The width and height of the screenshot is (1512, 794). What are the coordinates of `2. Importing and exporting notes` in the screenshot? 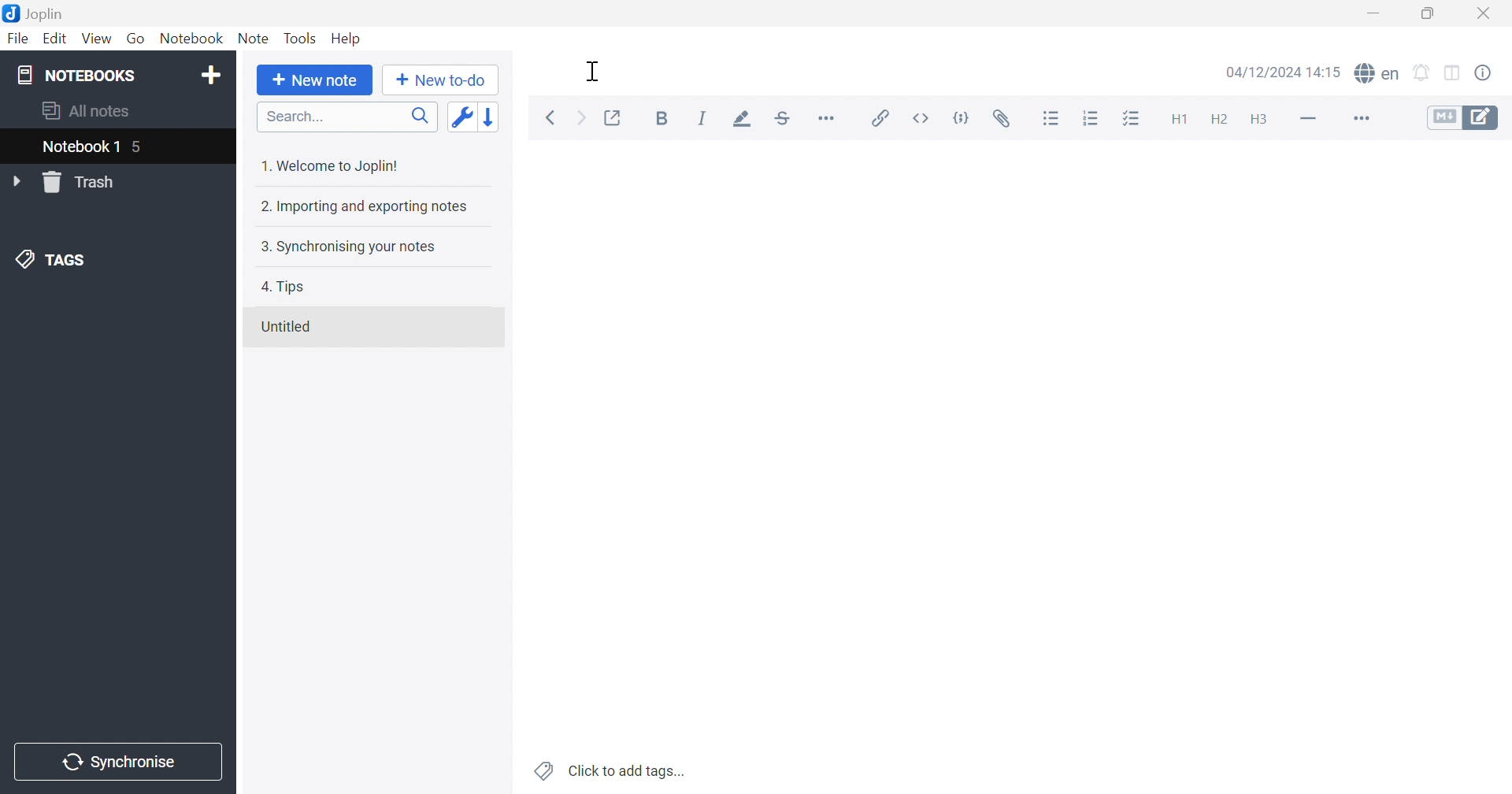 It's located at (362, 206).